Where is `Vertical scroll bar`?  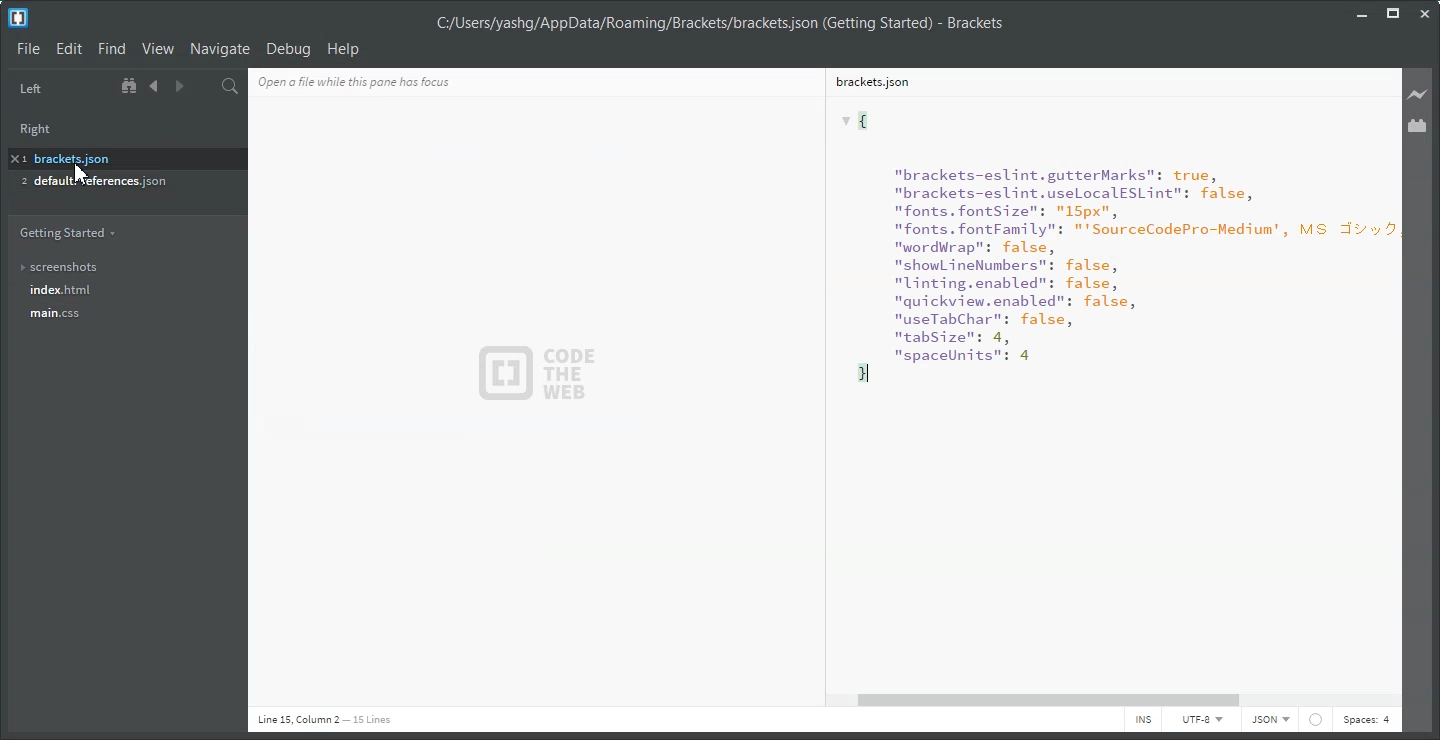 Vertical scroll bar is located at coordinates (1395, 378).